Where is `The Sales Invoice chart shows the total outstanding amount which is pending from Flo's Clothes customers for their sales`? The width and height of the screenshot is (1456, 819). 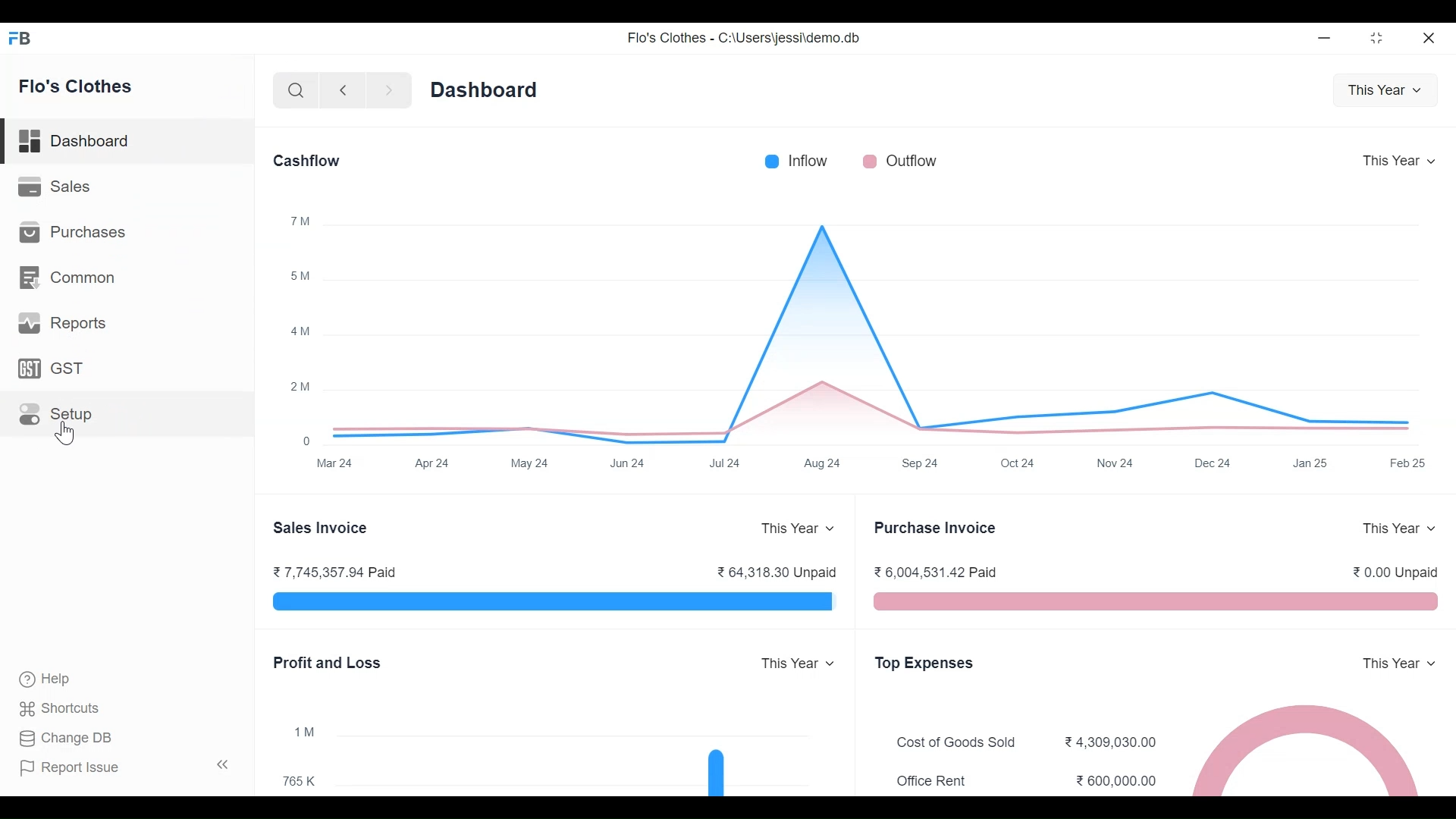 The Sales Invoice chart shows the total outstanding amount which is pending from Flo's Clothes customers for their sales is located at coordinates (556, 603).